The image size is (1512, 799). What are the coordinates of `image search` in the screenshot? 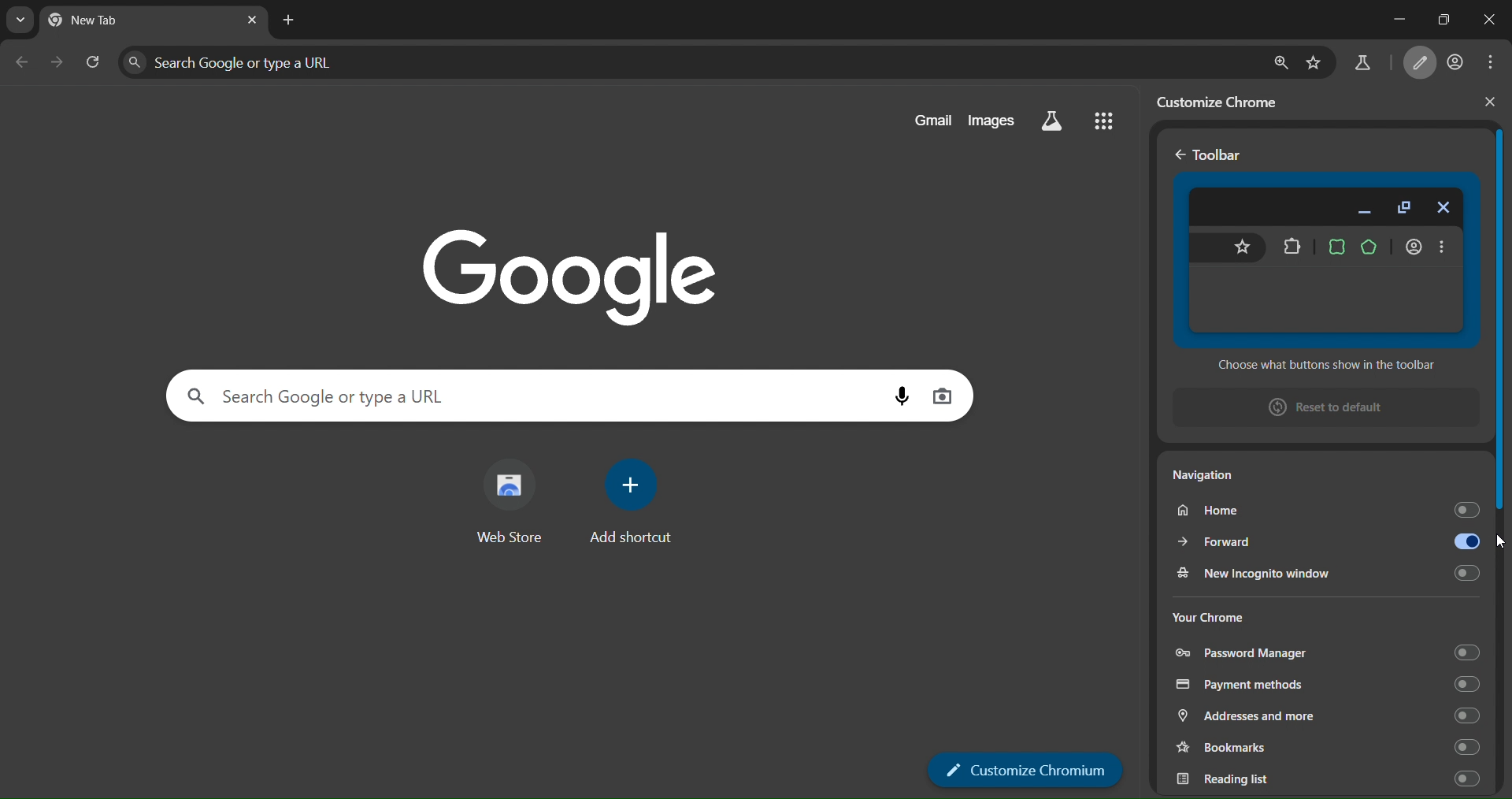 It's located at (943, 396).